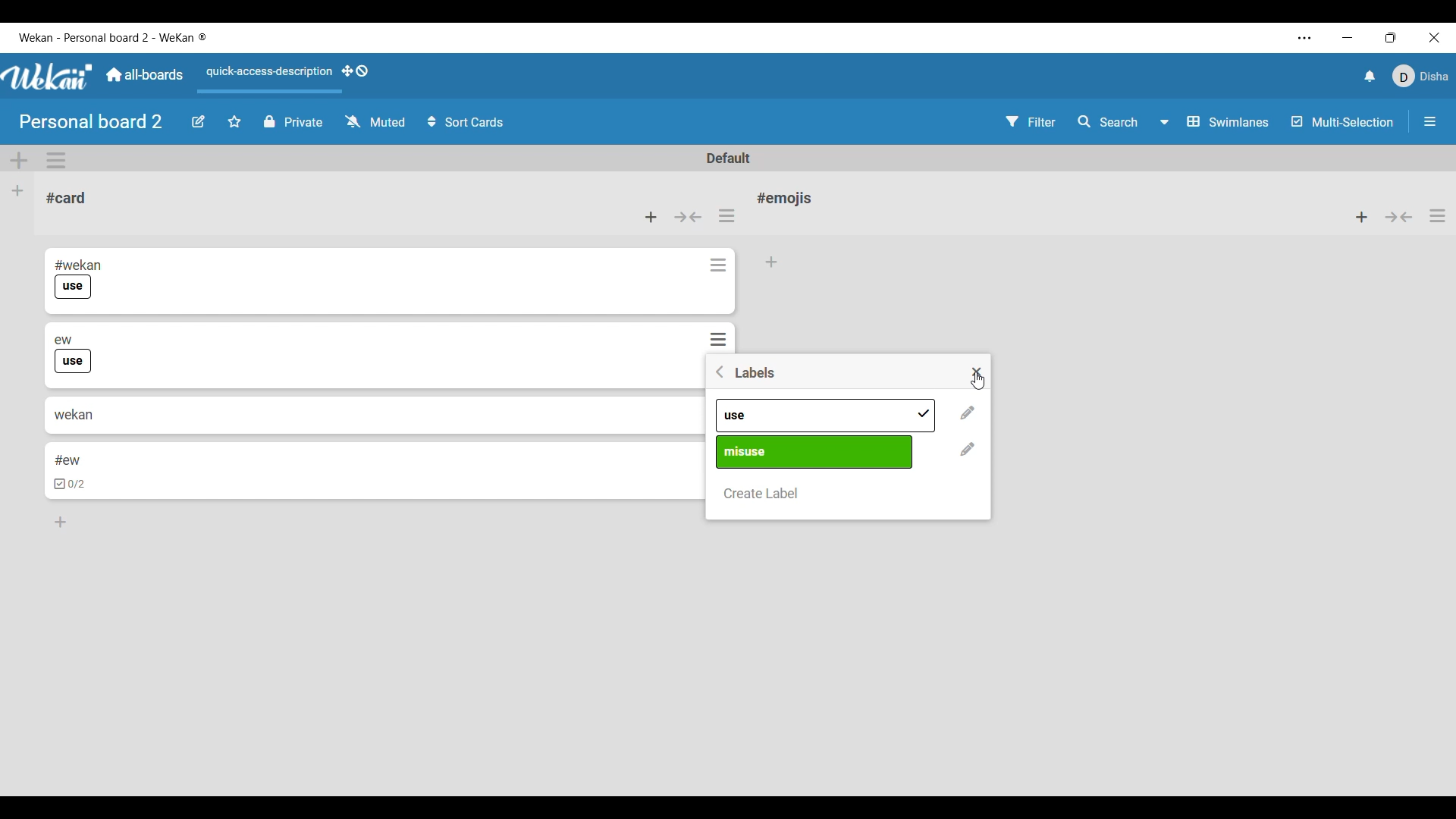  I want to click on Click to star board, so click(234, 122).